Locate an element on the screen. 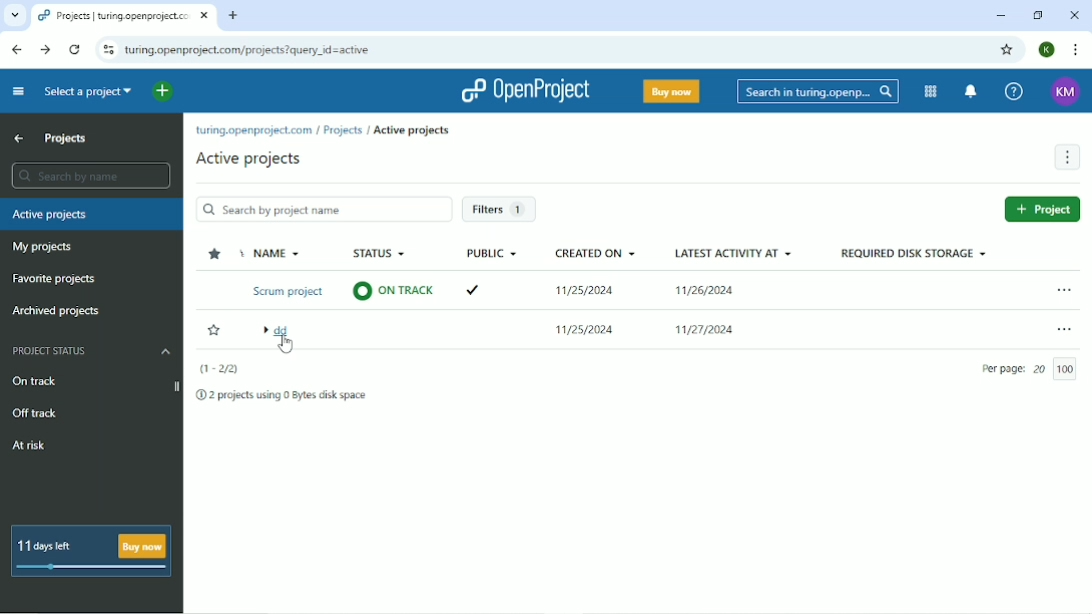  To notification center is located at coordinates (969, 92).